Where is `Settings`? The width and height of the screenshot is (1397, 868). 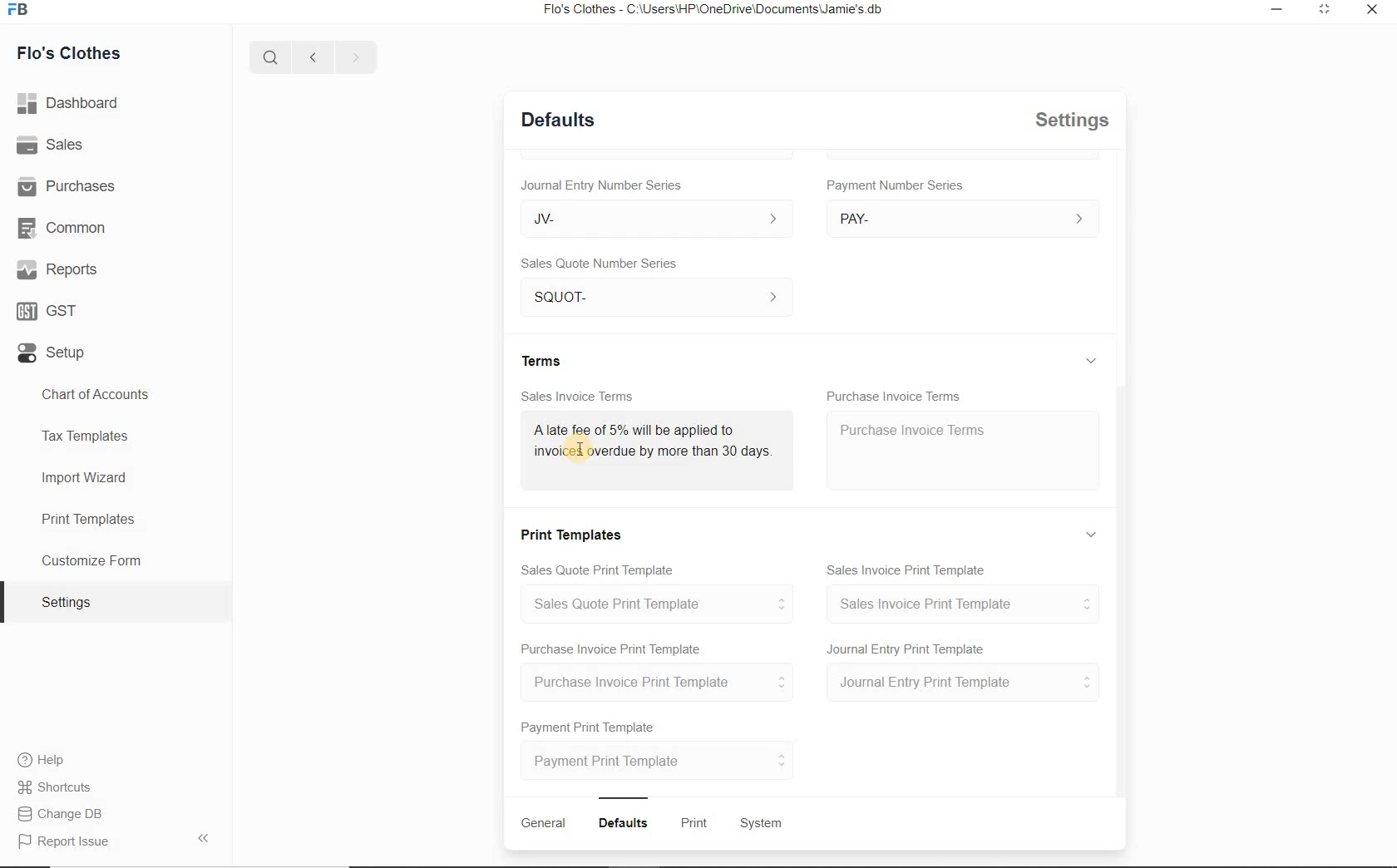 Settings is located at coordinates (1074, 120).